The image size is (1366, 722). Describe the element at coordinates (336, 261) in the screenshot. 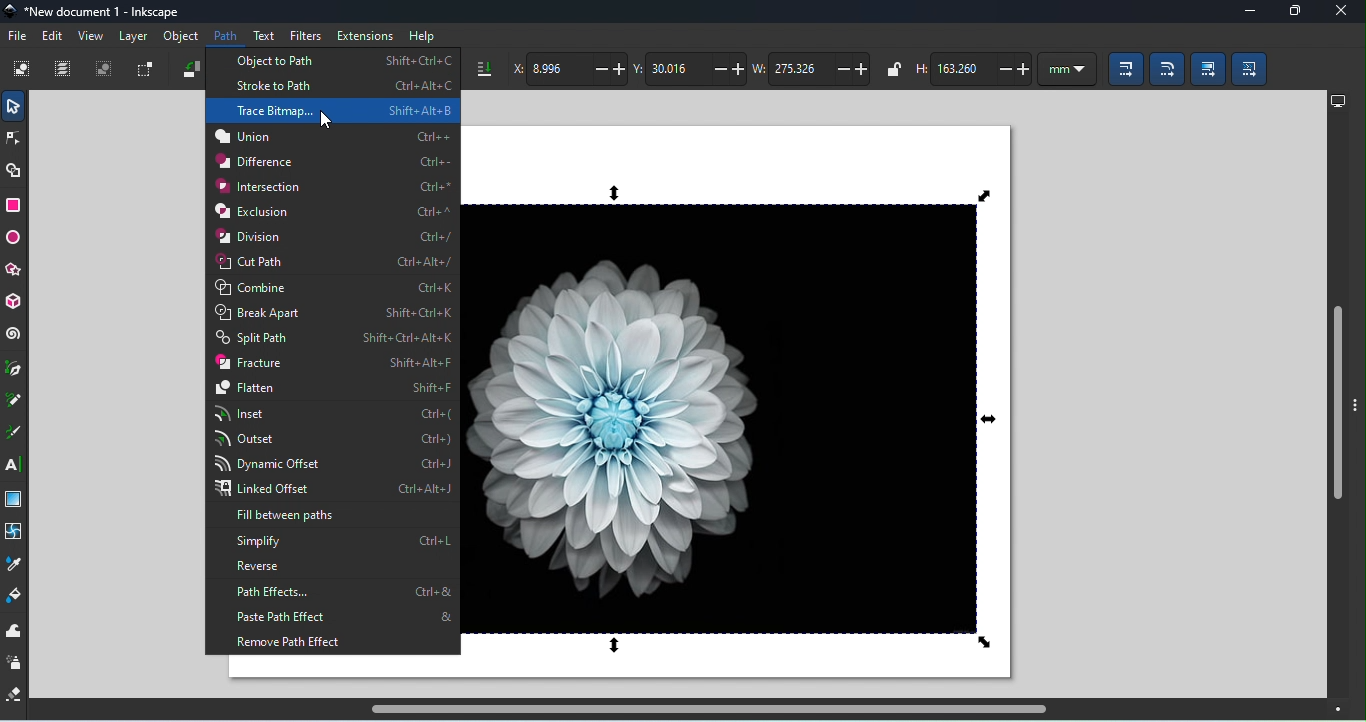

I see `Cut path` at that location.